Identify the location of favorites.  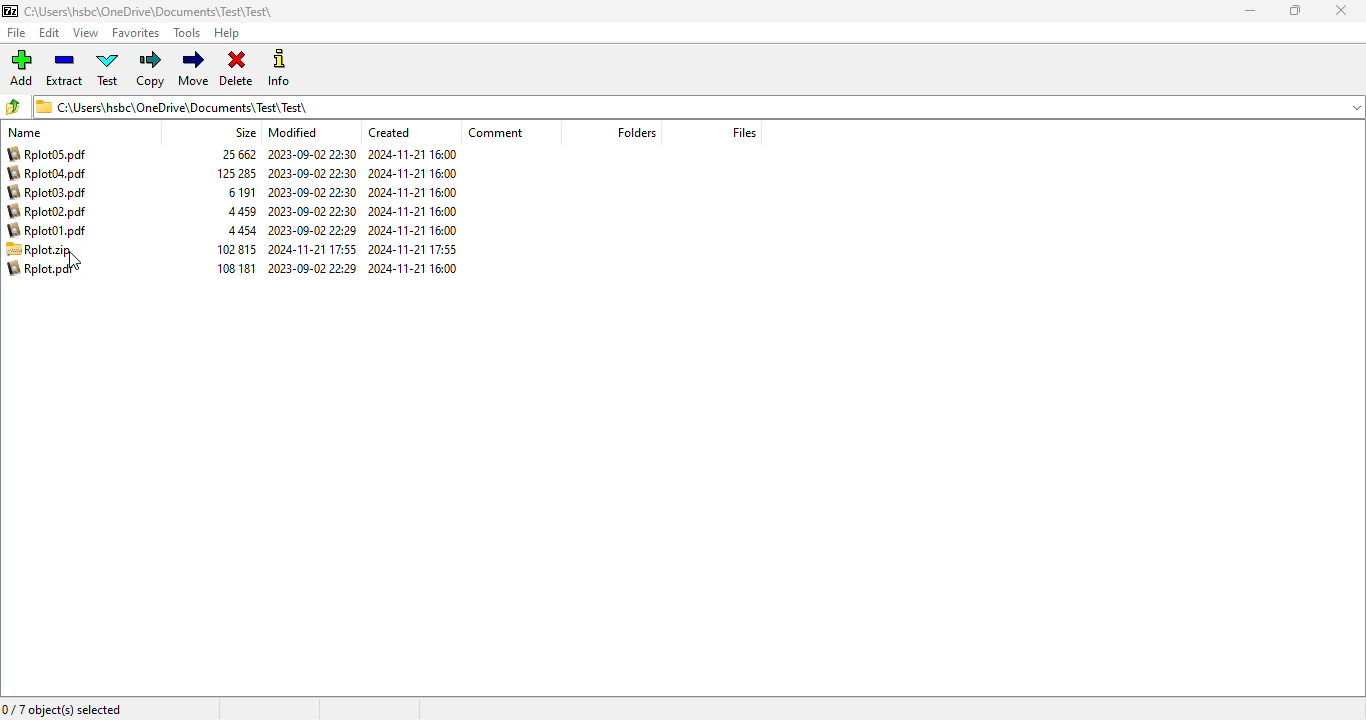
(135, 33).